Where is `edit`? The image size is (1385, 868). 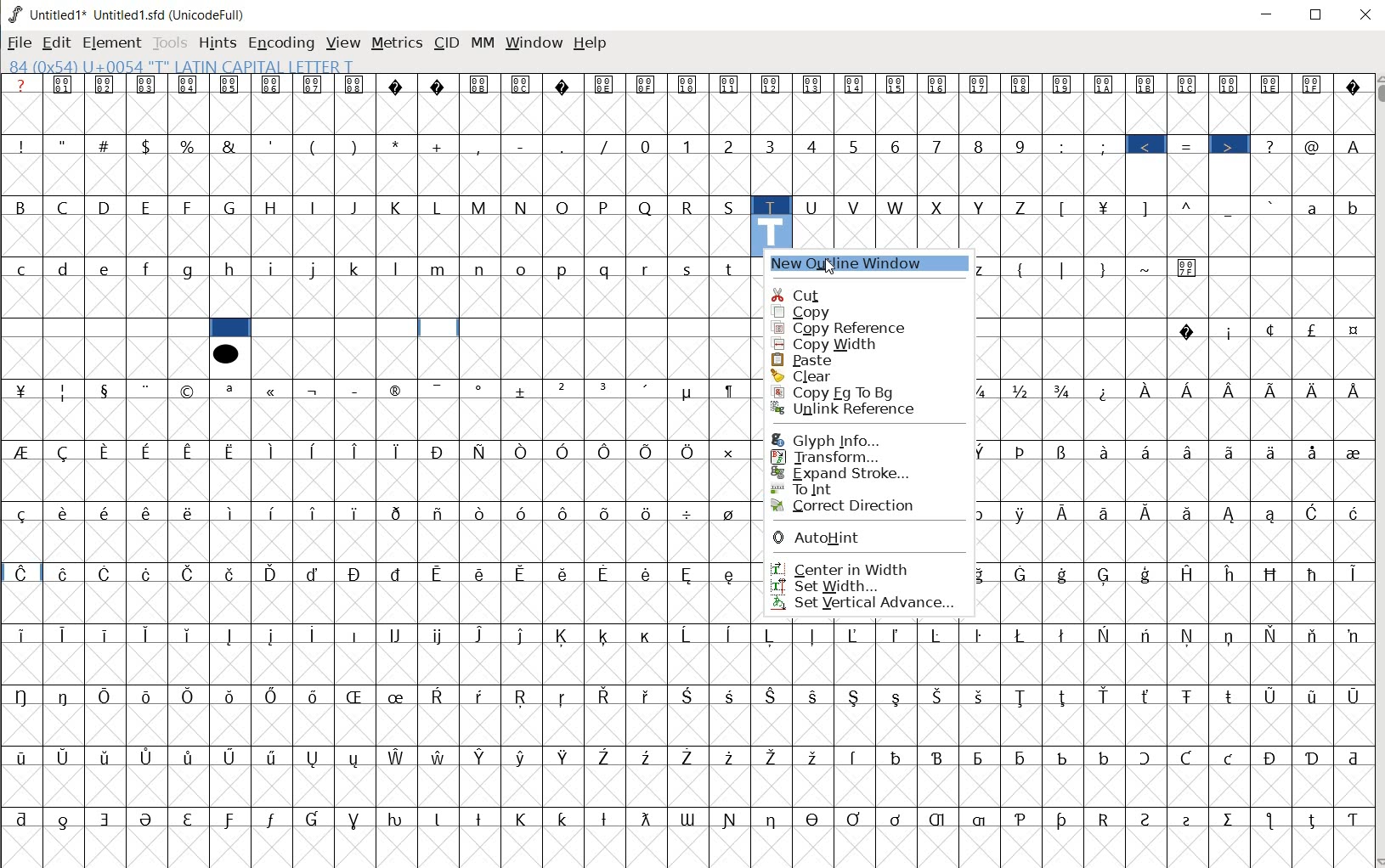 edit is located at coordinates (56, 42).